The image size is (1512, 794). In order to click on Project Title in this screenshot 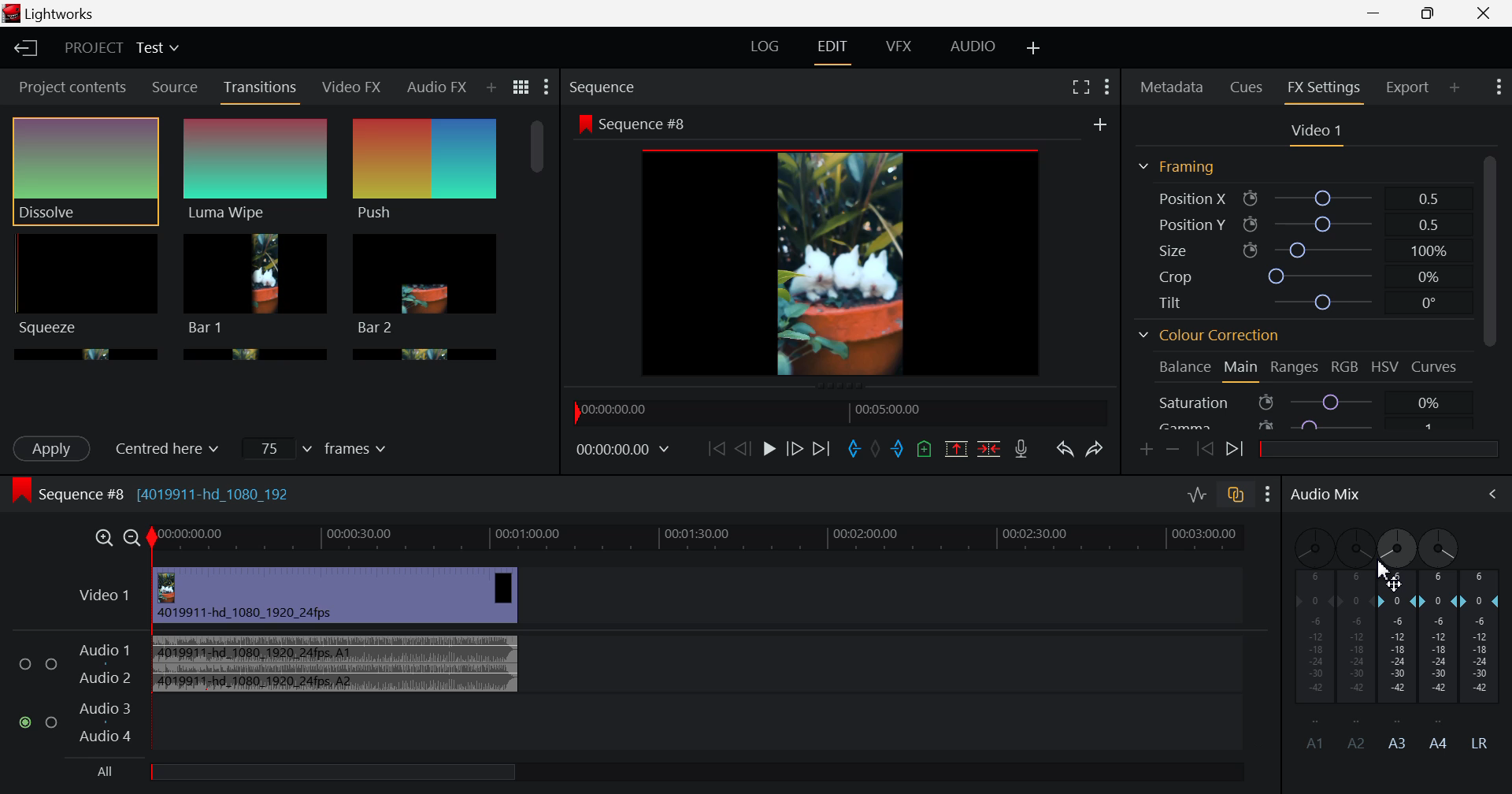, I will do `click(124, 48)`.